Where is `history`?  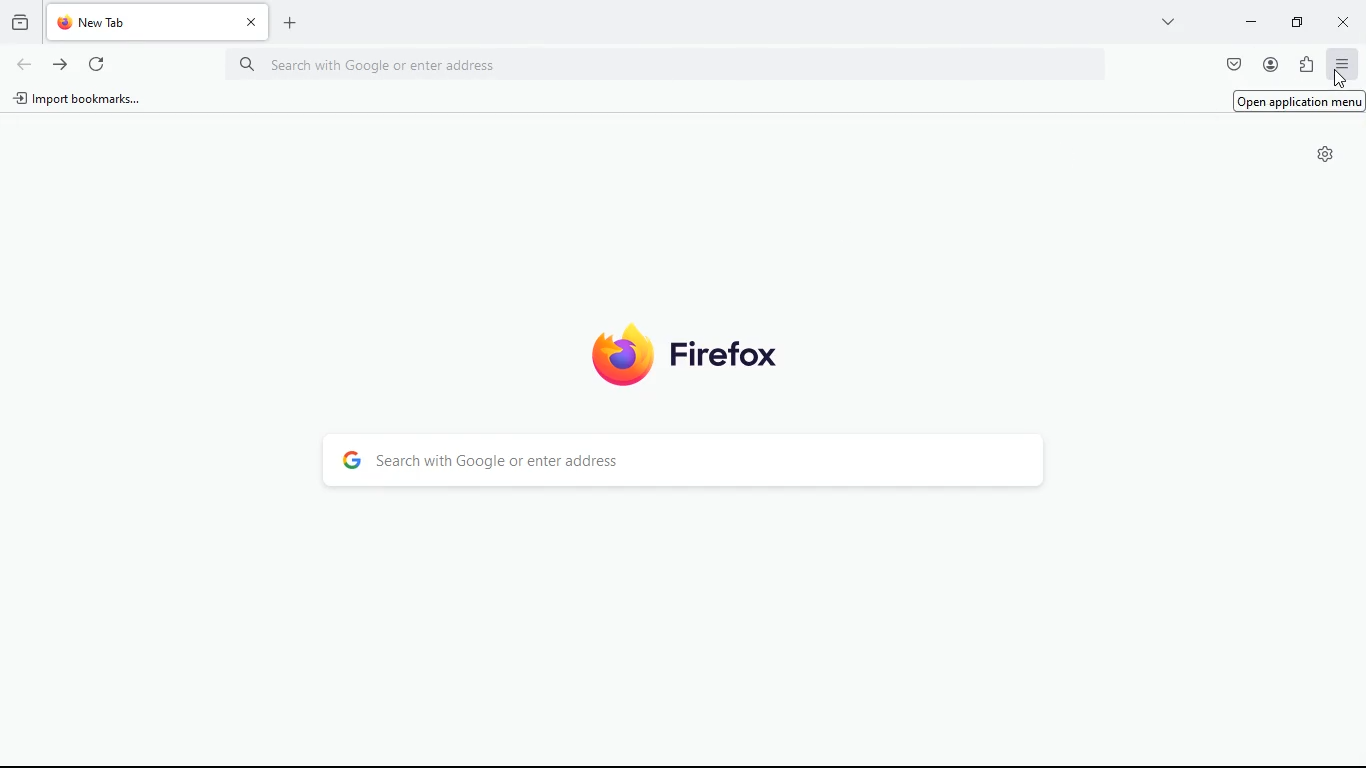 history is located at coordinates (20, 25).